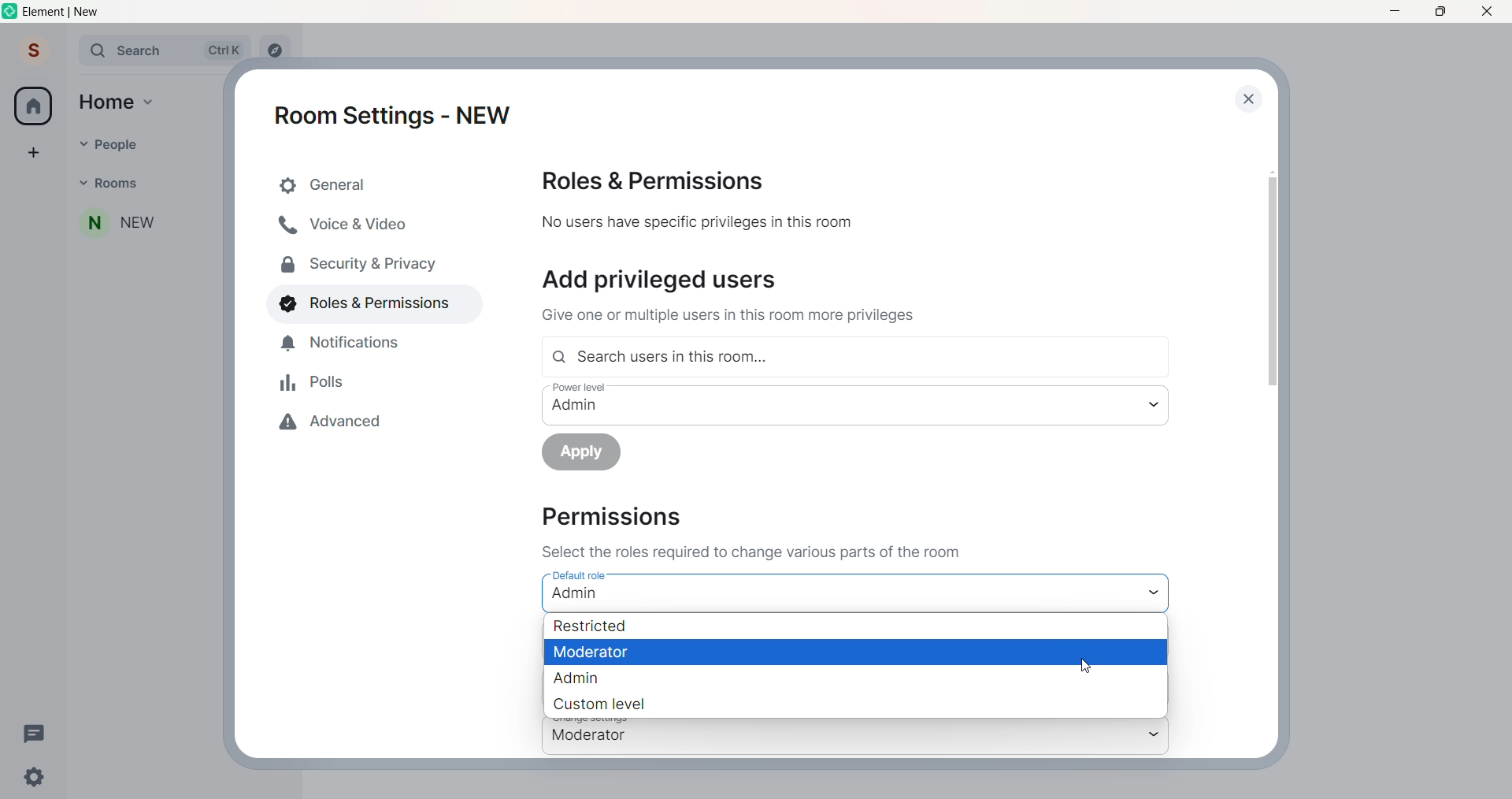 This screenshot has width=1512, height=799. What do you see at coordinates (397, 113) in the screenshot?
I see `room settings` at bounding box center [397, 113].